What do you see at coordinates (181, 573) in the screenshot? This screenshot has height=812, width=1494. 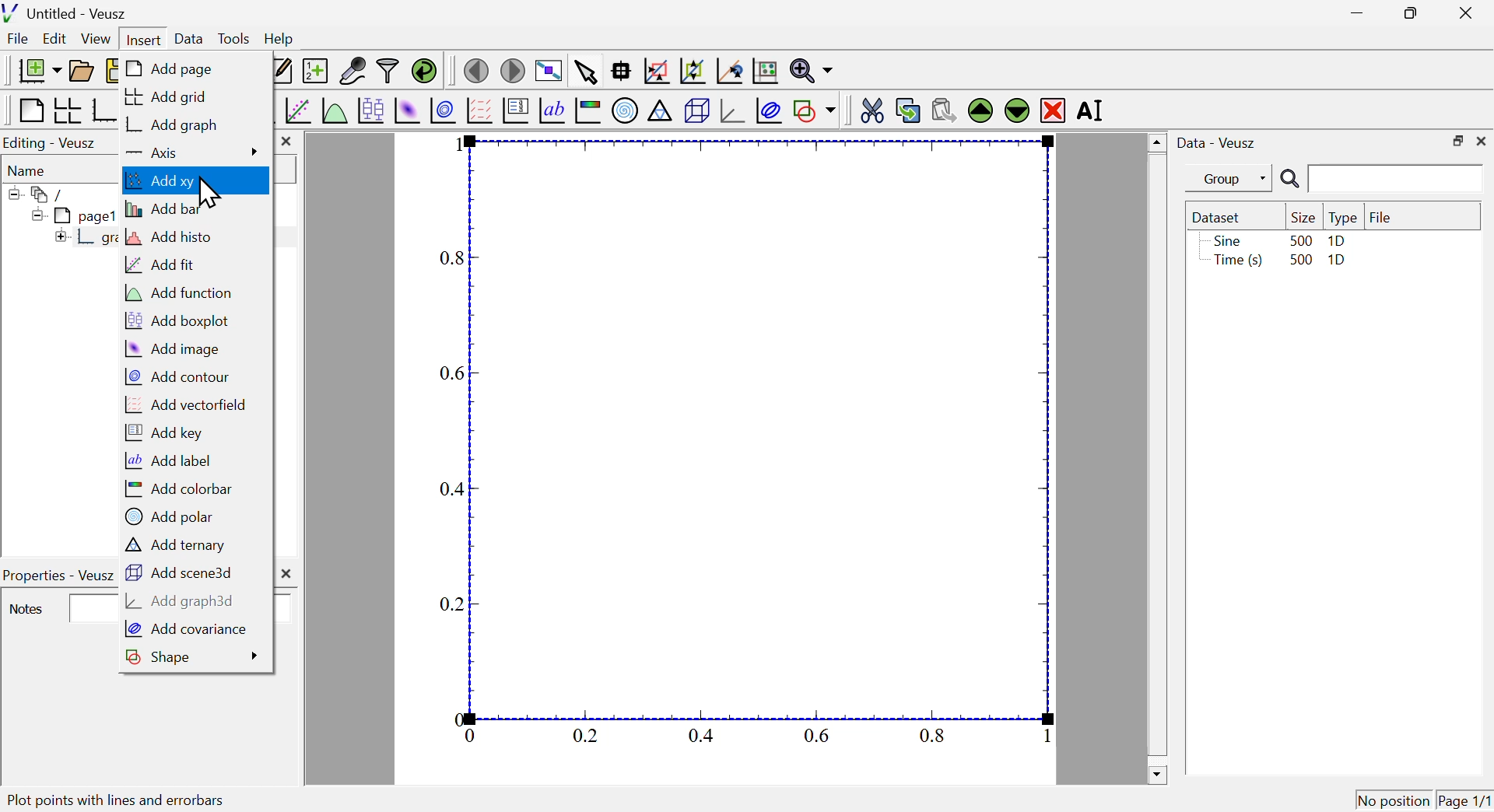 I see `add scene3d` at bounding box center [181, 573].